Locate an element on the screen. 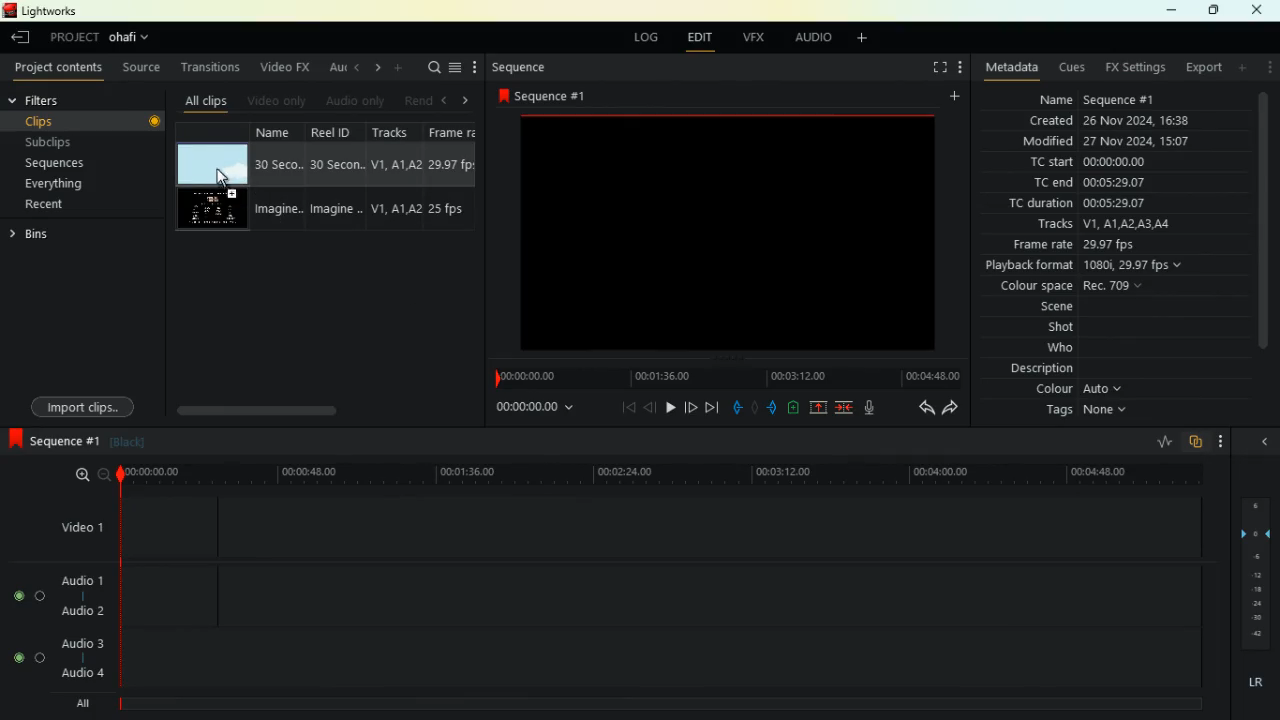 This screenshot has width=1280, height=720. all is located at coordinates (74, 703).